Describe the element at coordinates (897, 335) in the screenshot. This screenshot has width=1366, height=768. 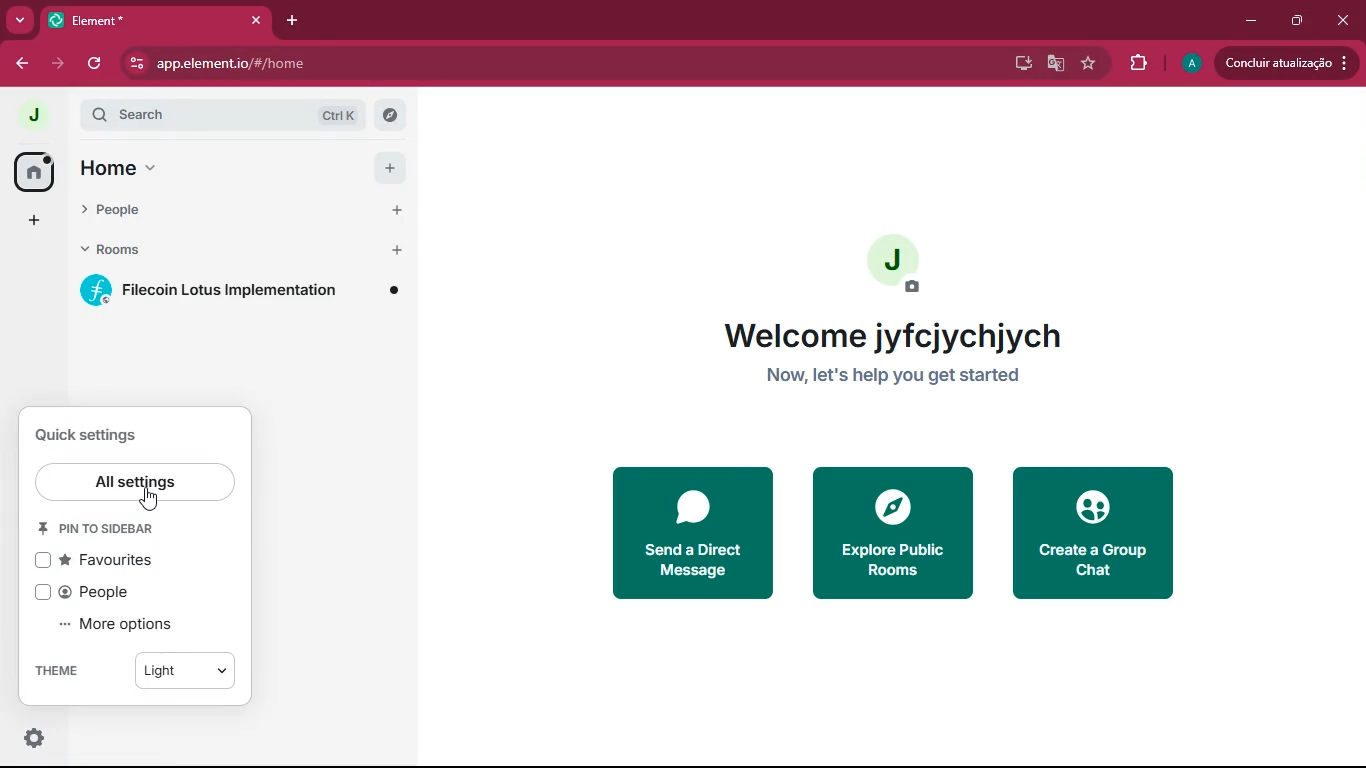
I see `welcome jyfcjychjych` at that location.